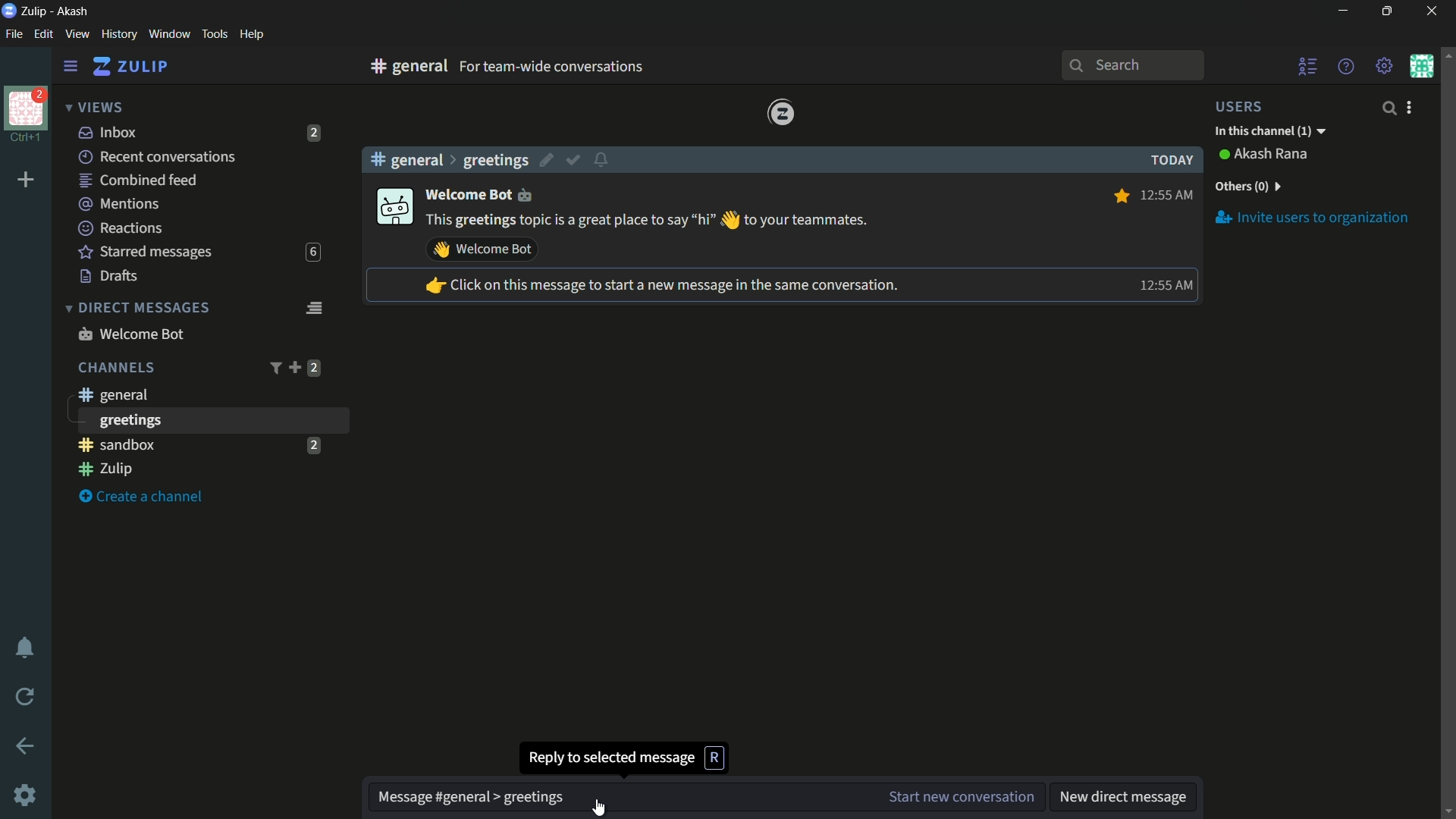 The height and width of the screenshot is (819, 1456). I want to click on window menu, so click(169, 34).